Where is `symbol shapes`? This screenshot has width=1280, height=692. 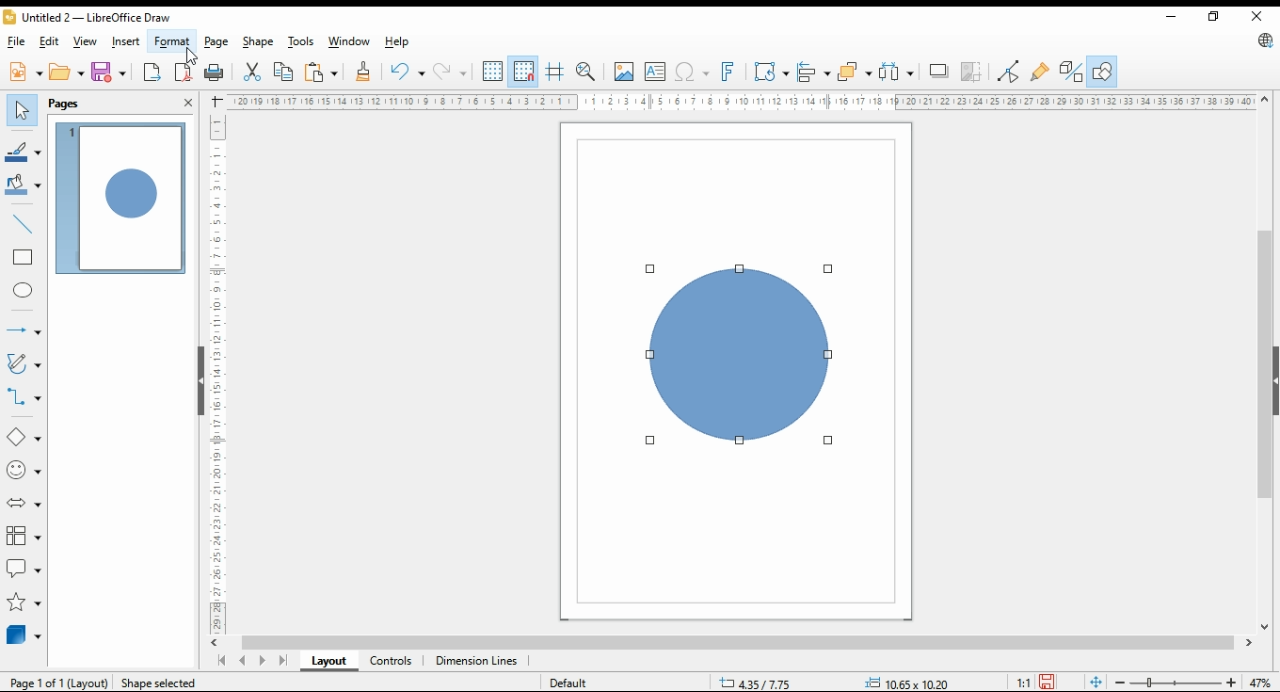 symbol shapes is located at coordinates (23, 469).